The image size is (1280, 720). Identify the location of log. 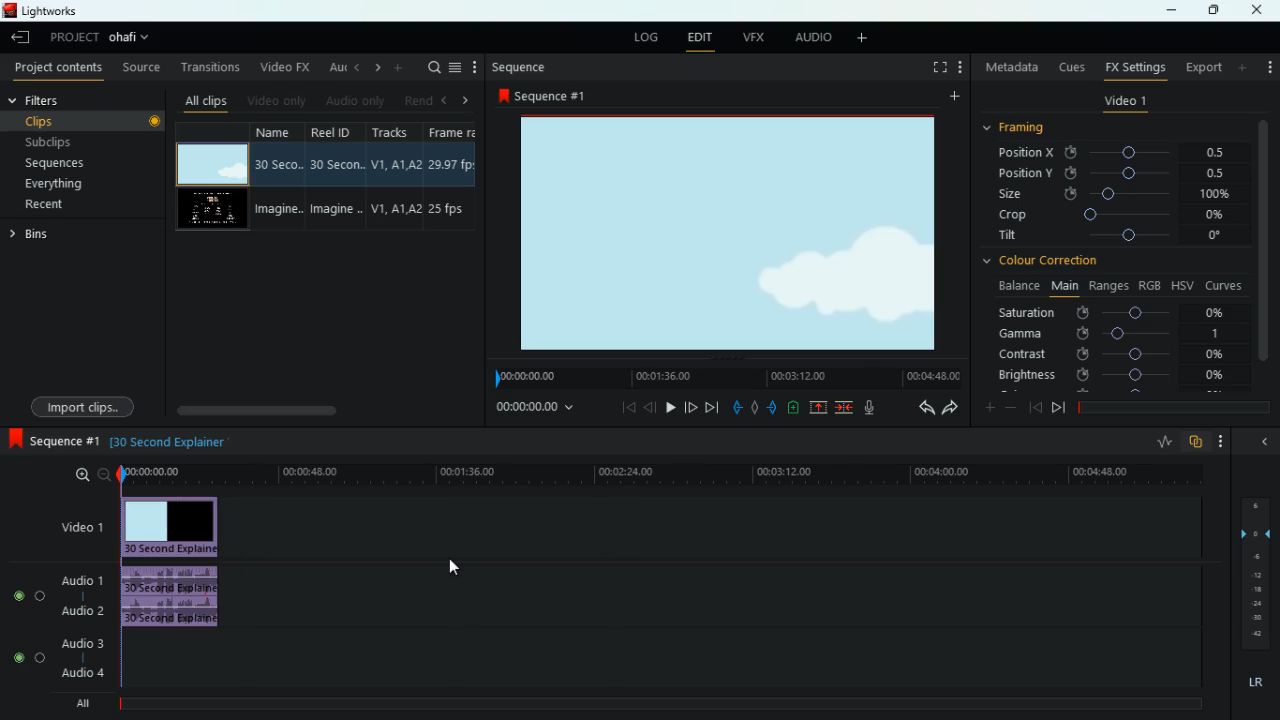
(650, 37).